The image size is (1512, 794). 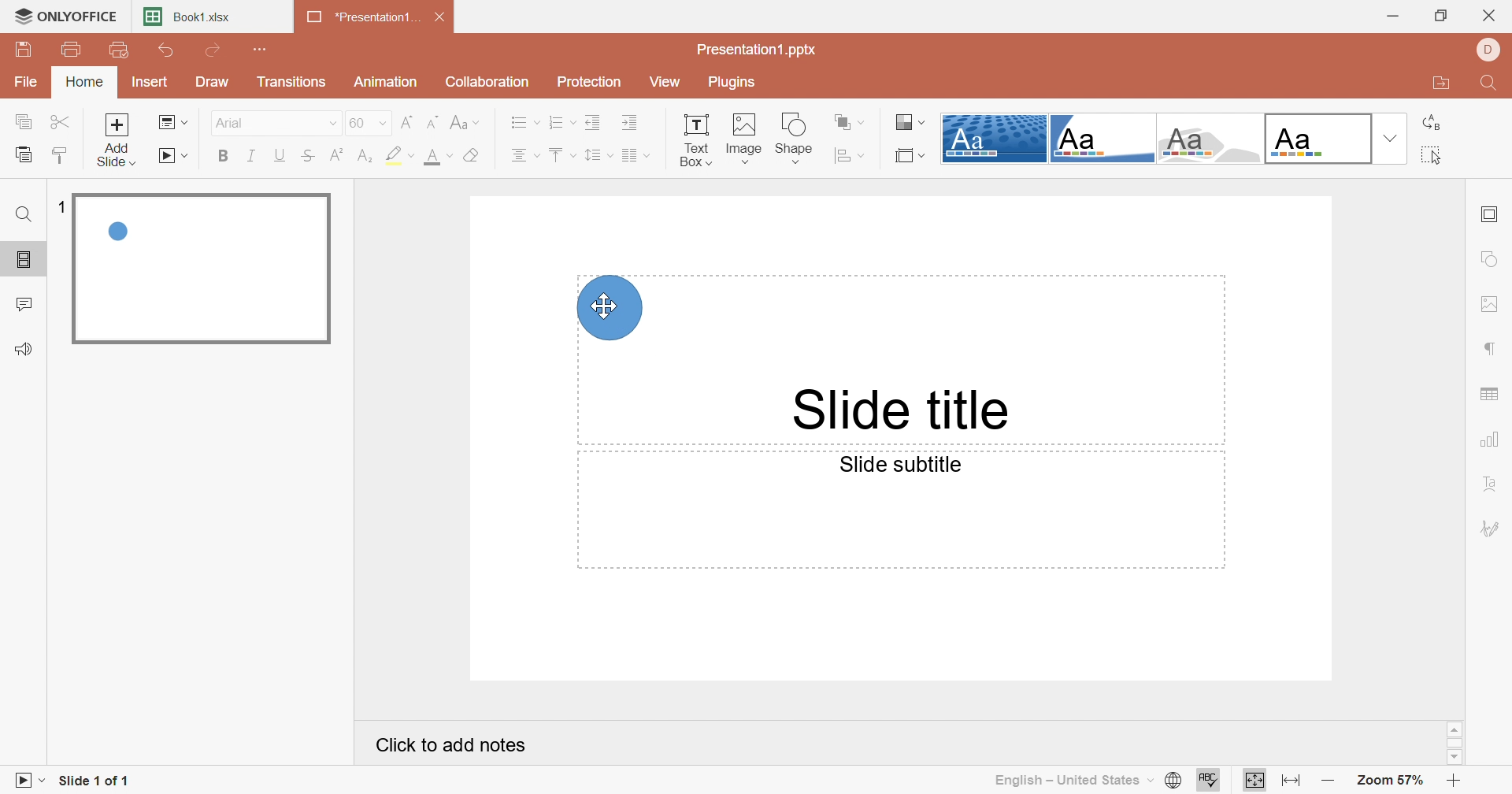 What do you see at coordinates (188, 16) in the screenshot?
I see `Book1.xlsx` at bounding box center [188, 16].